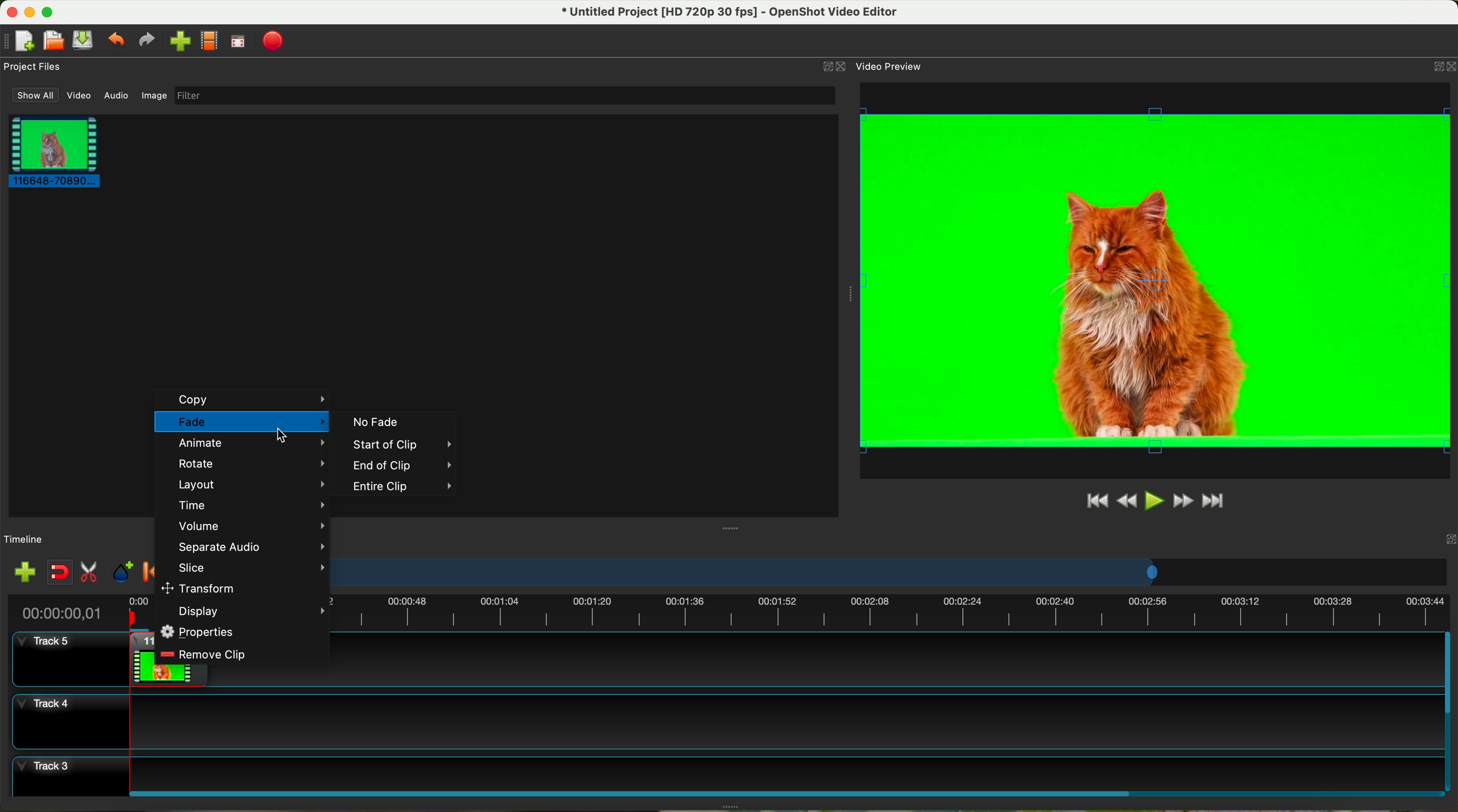  I want to click on click on import file, so click(177, 37).